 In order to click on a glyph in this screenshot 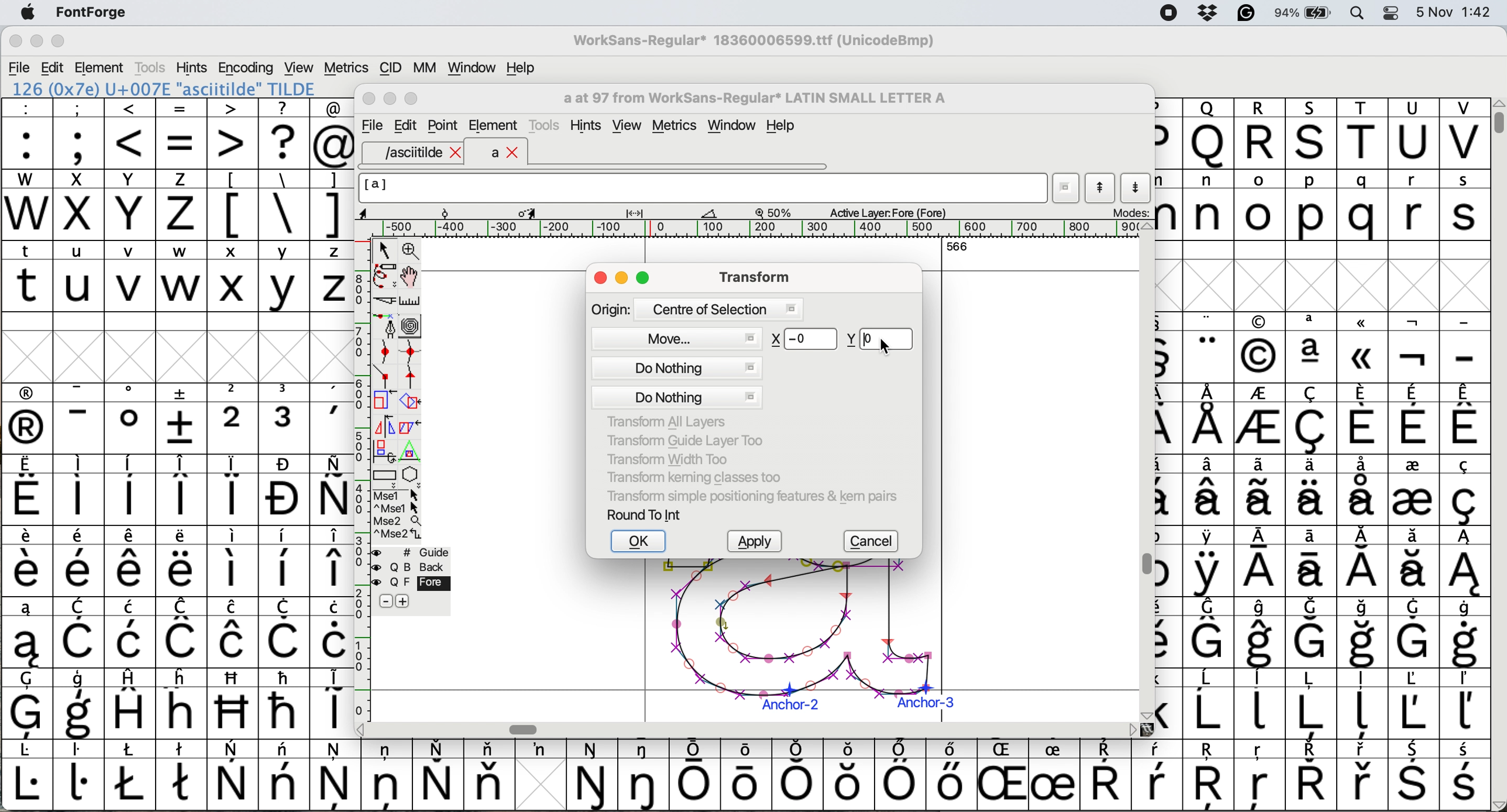, I will do `click(798, 640)`.